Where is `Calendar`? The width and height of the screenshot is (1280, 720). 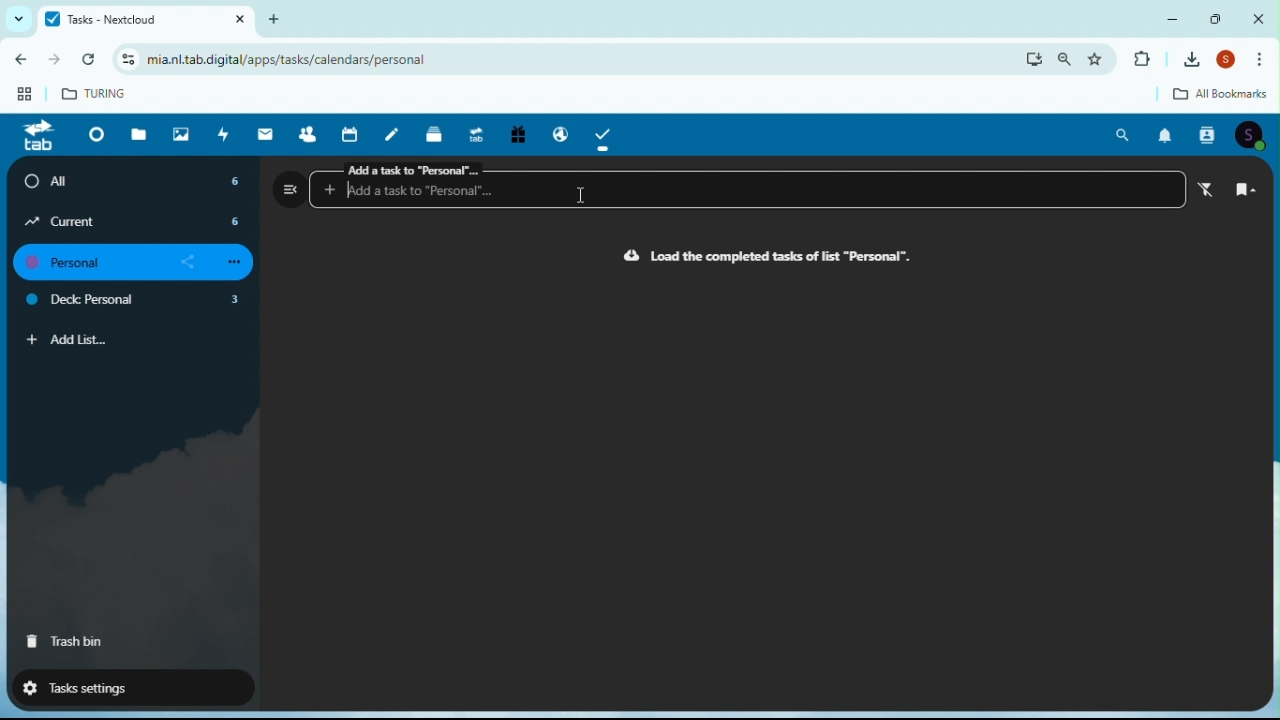 Calendar is located at coordinates (353, 134).